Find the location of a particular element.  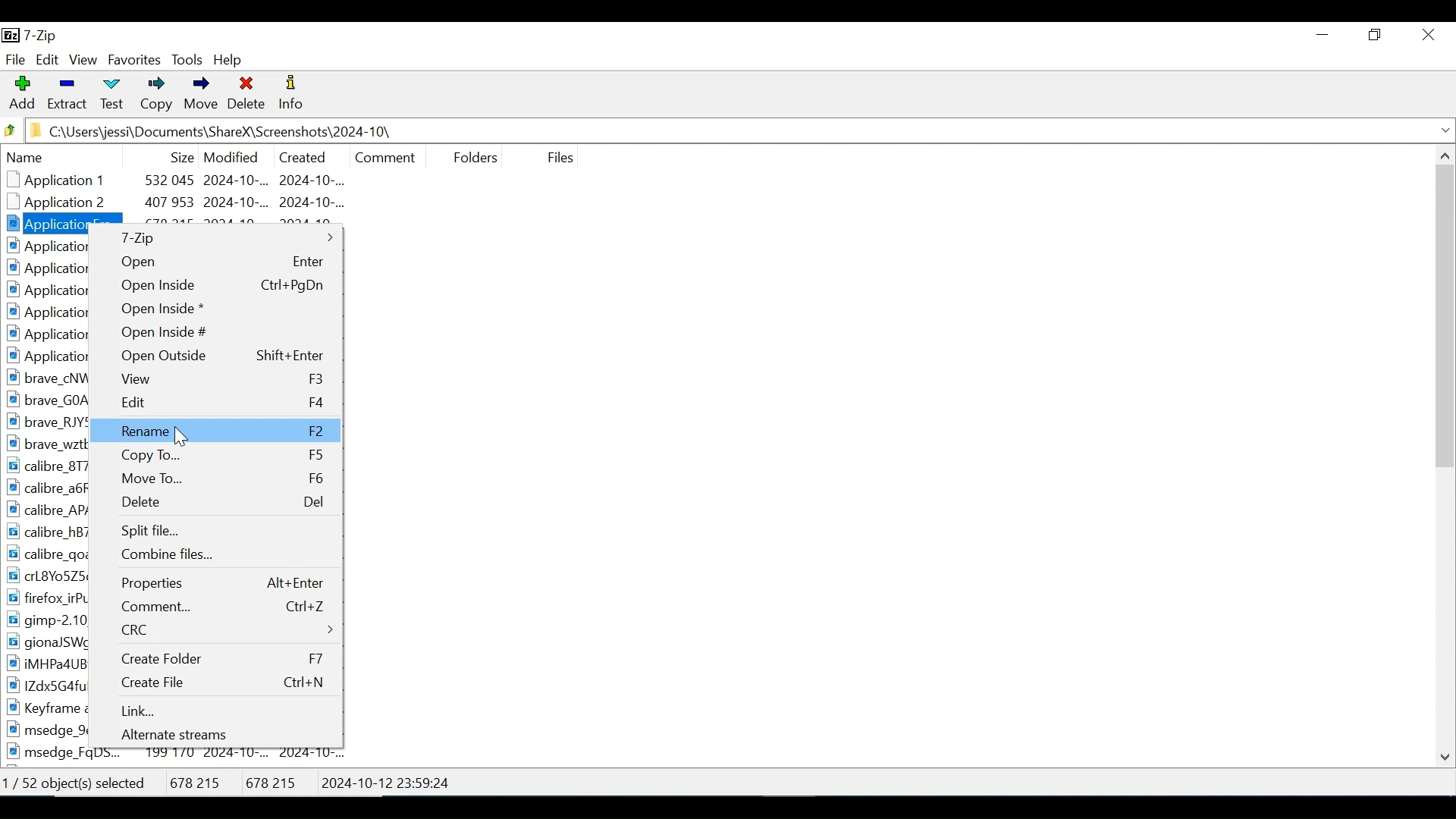

Close is located at coordinates (1427, 35).